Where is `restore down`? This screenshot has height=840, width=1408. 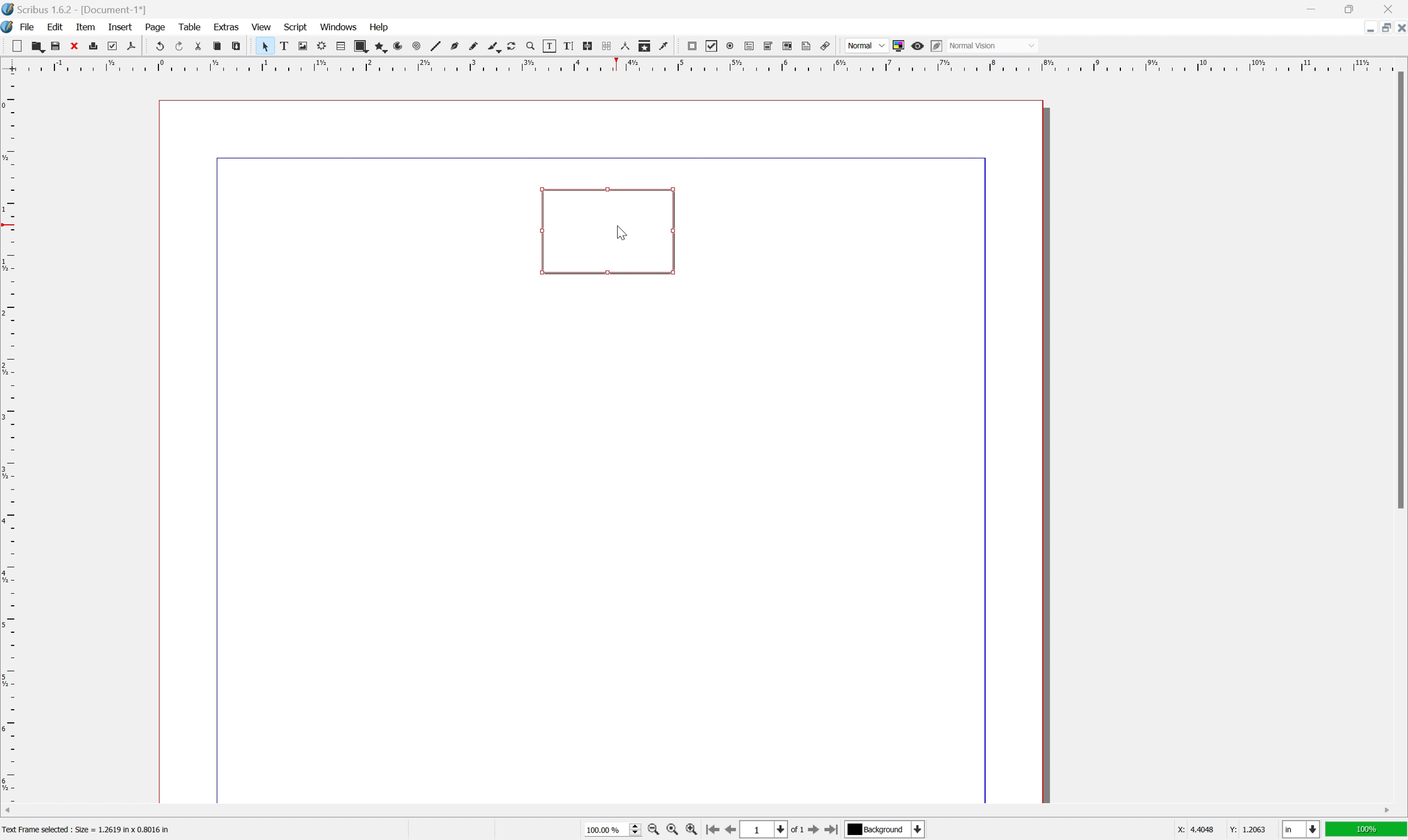
restore down is located at coordinates (1383, 27).